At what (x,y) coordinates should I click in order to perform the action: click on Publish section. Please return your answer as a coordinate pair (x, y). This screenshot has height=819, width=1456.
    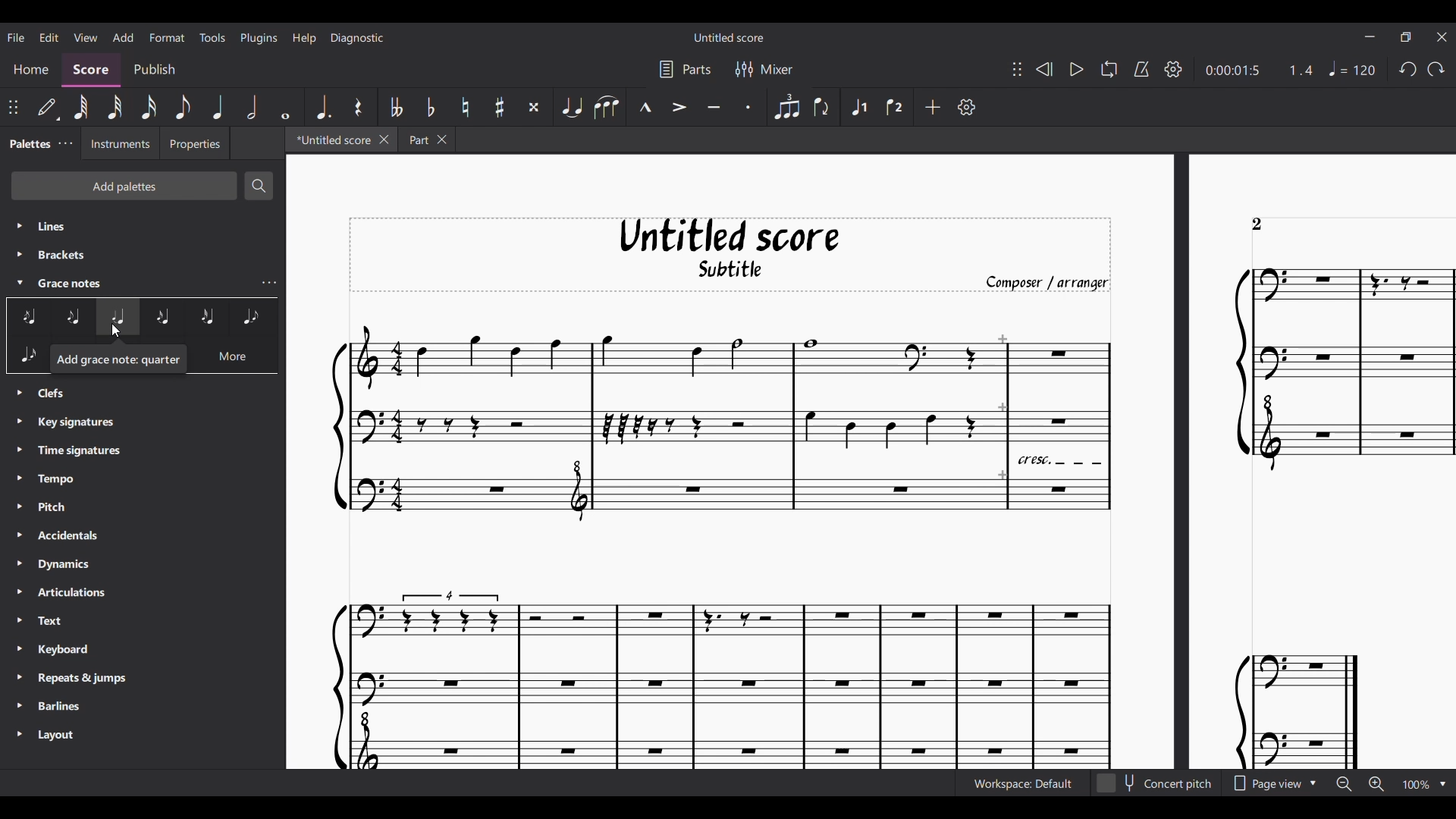
    Looking at the image, I should click on (153, 71).